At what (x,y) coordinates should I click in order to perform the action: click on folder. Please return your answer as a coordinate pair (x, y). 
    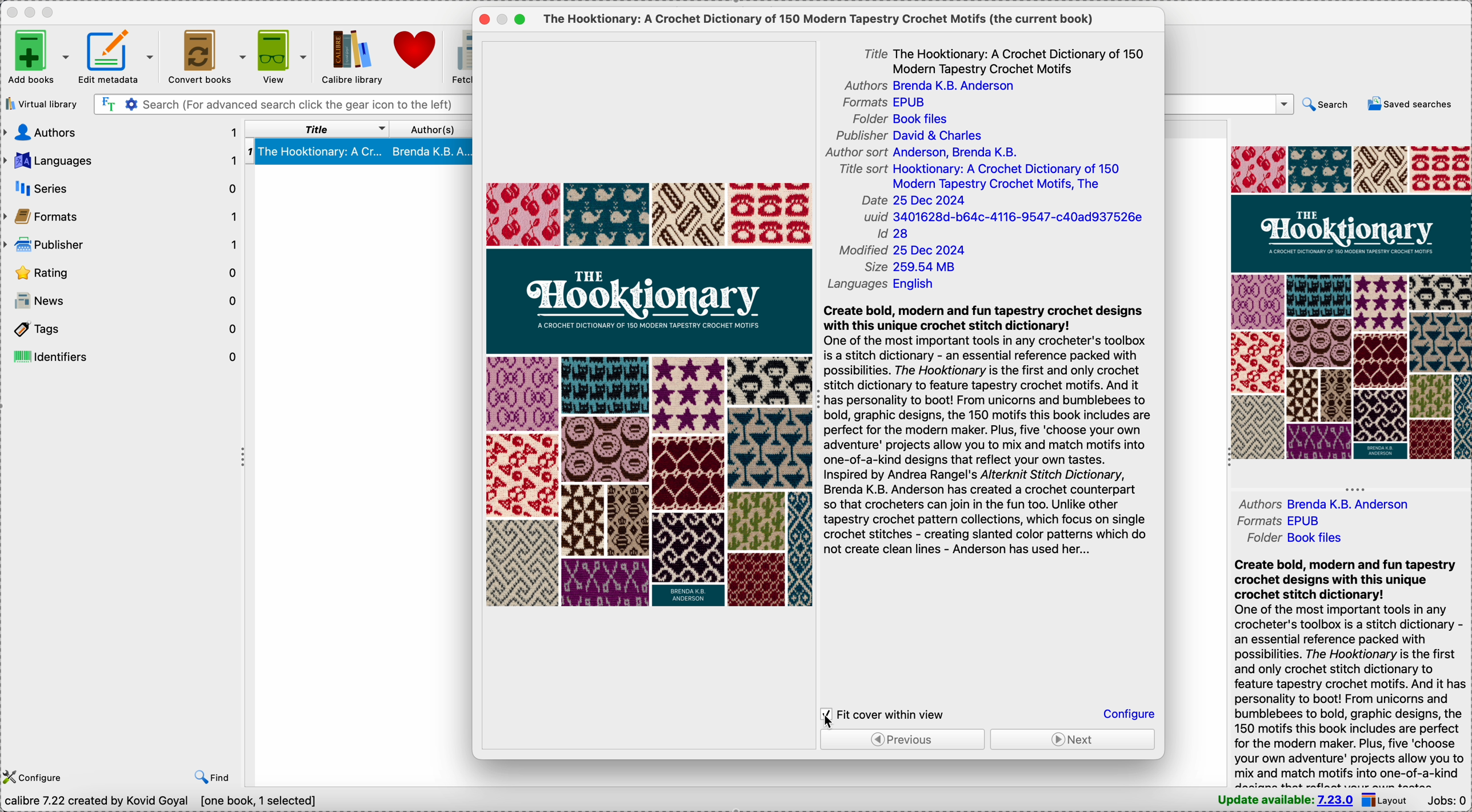
    Looking at the image, I should click on (1298, 539).